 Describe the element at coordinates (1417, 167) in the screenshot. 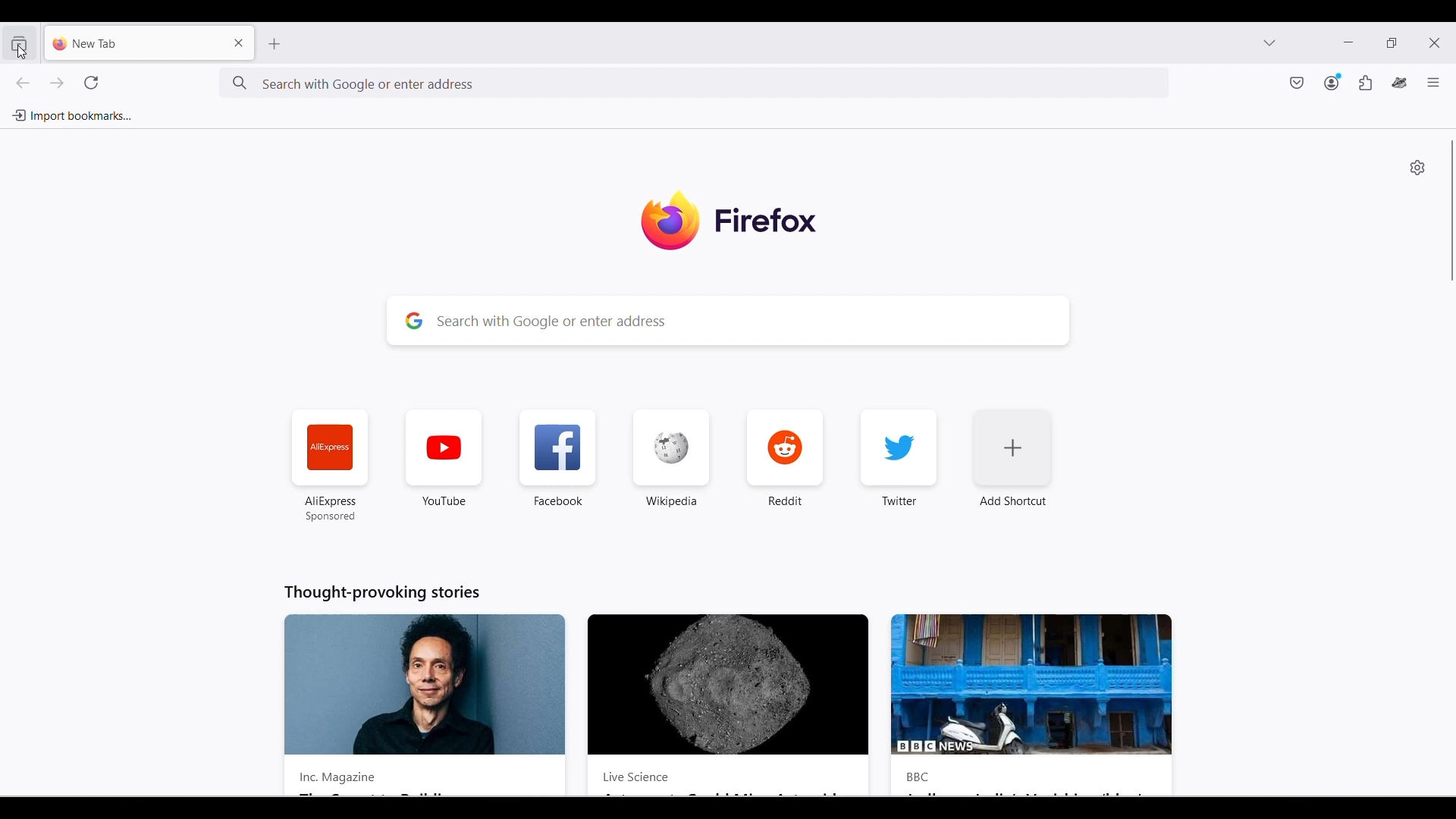

I see `Personalize tab` at that location.